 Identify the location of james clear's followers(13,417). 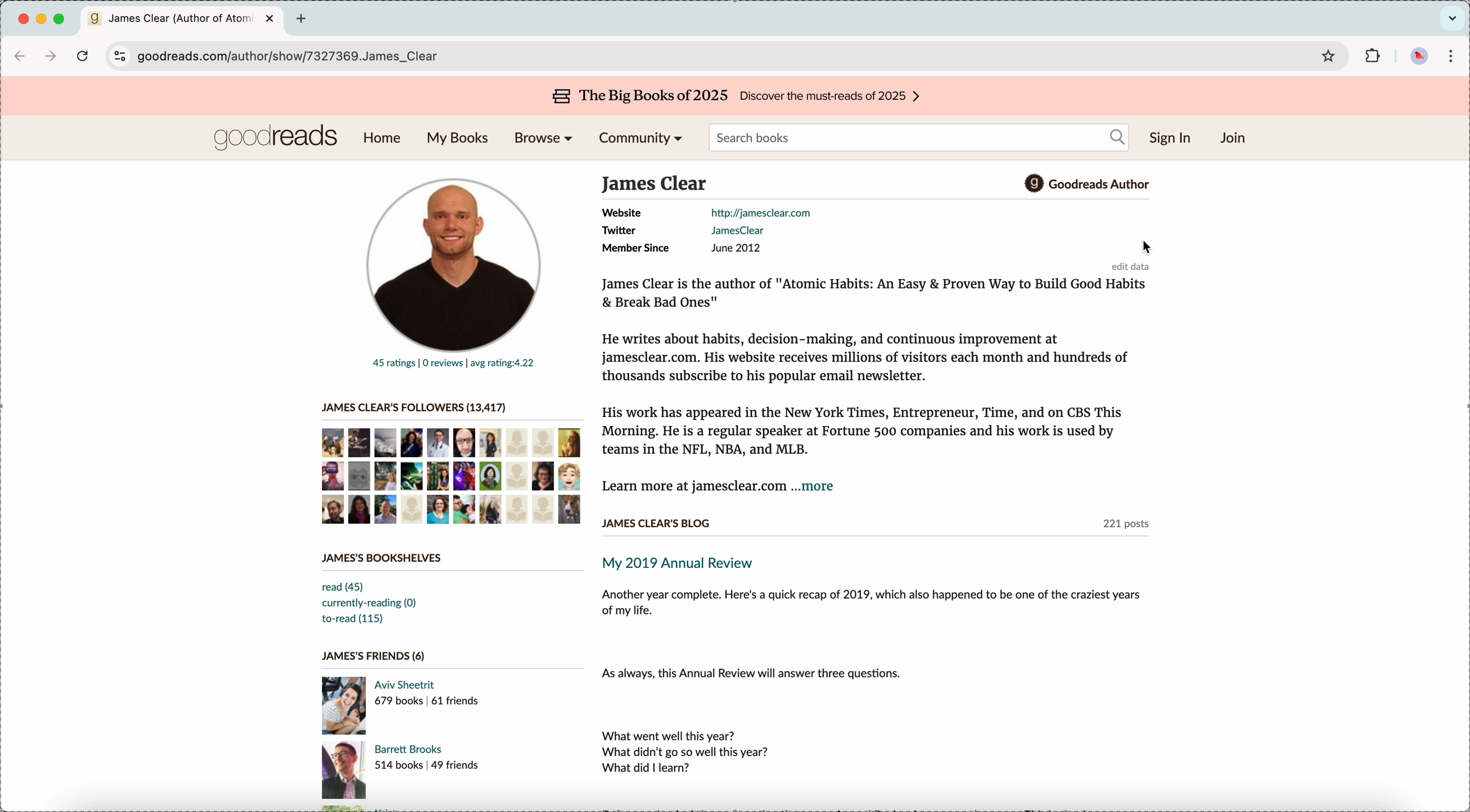
(413, 407).